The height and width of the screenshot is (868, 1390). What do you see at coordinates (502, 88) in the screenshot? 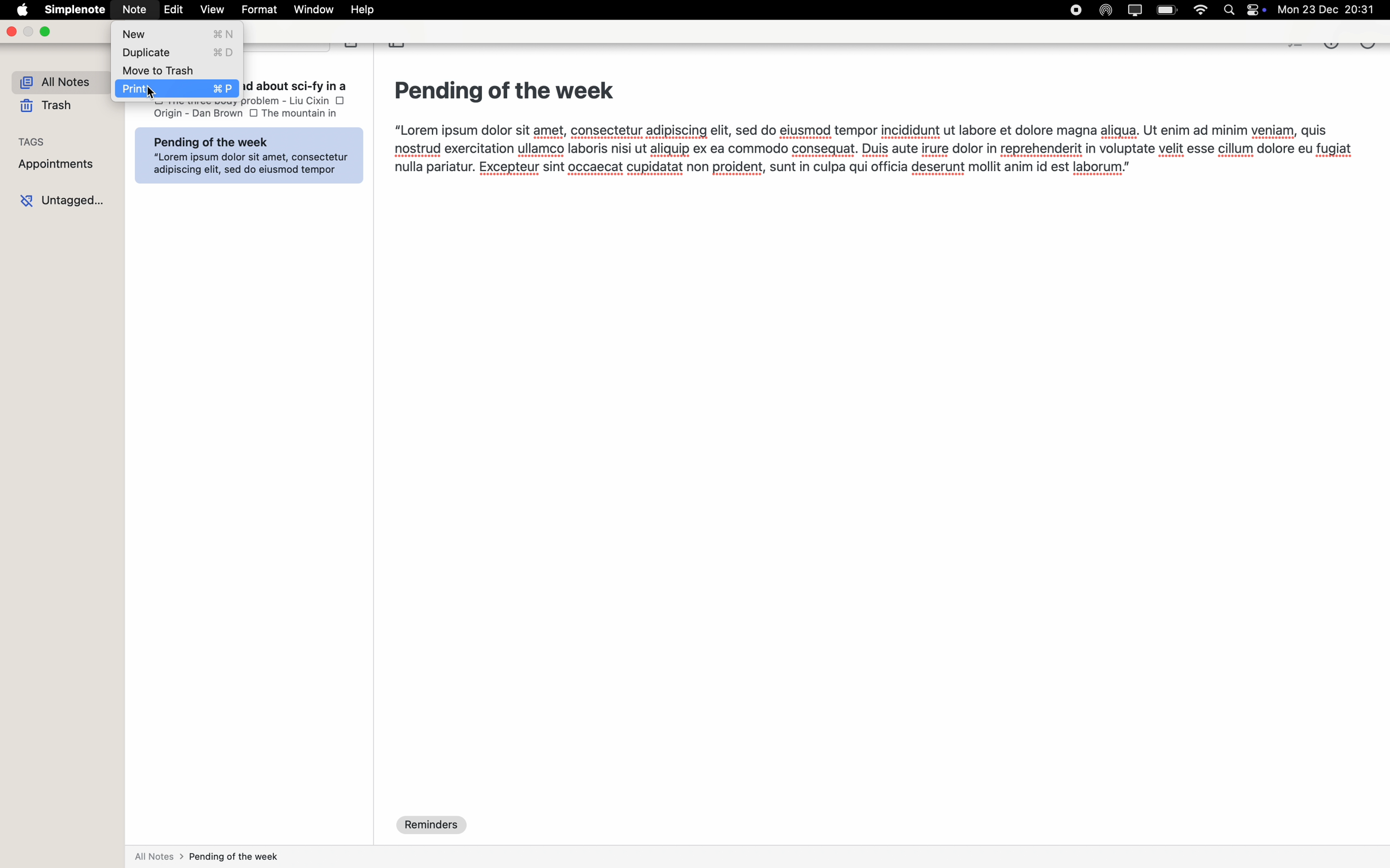
I see `Pending of the week` at bounding box center [502, 88].